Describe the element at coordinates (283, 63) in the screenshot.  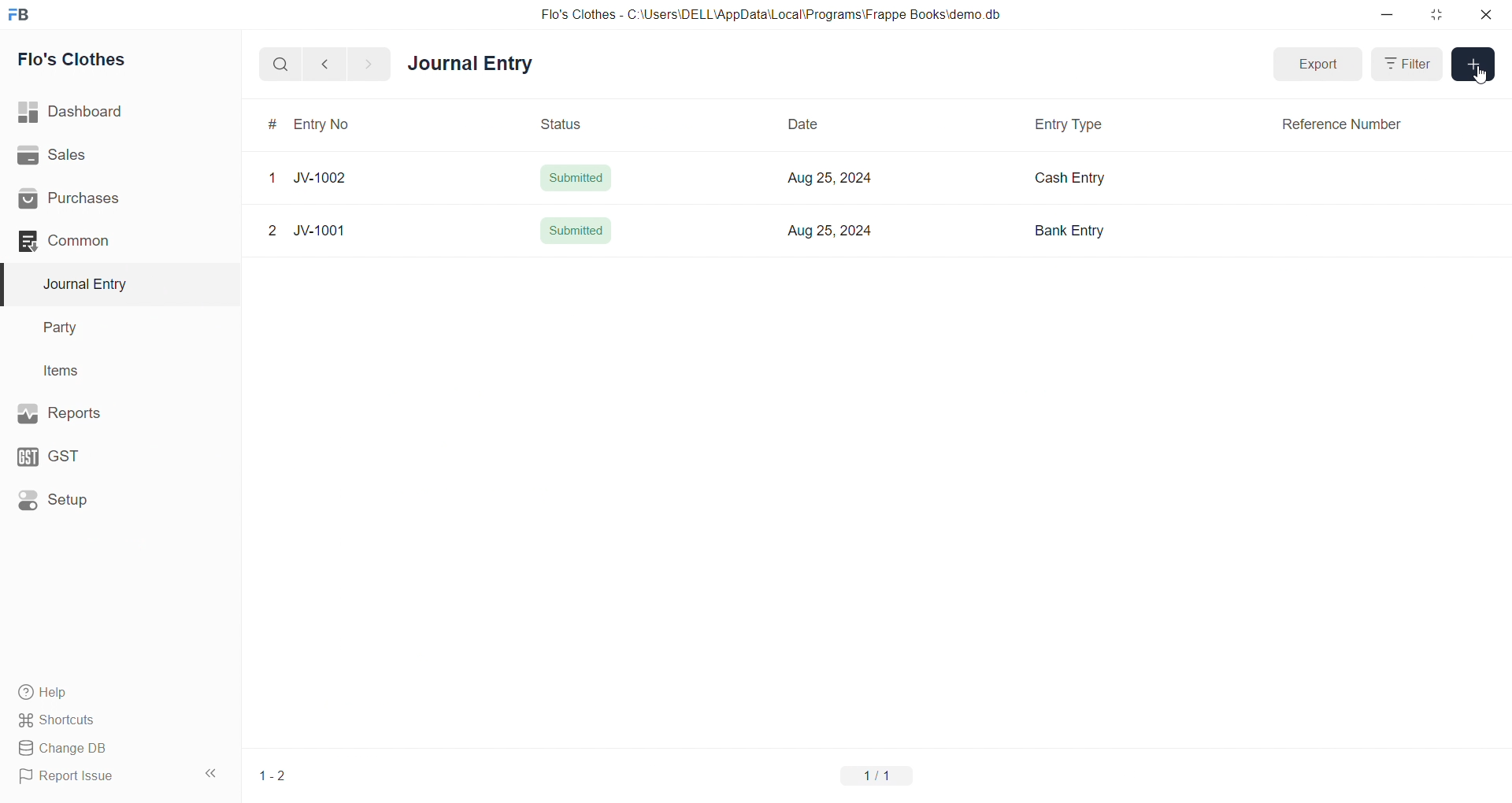
I see `search` at that location.